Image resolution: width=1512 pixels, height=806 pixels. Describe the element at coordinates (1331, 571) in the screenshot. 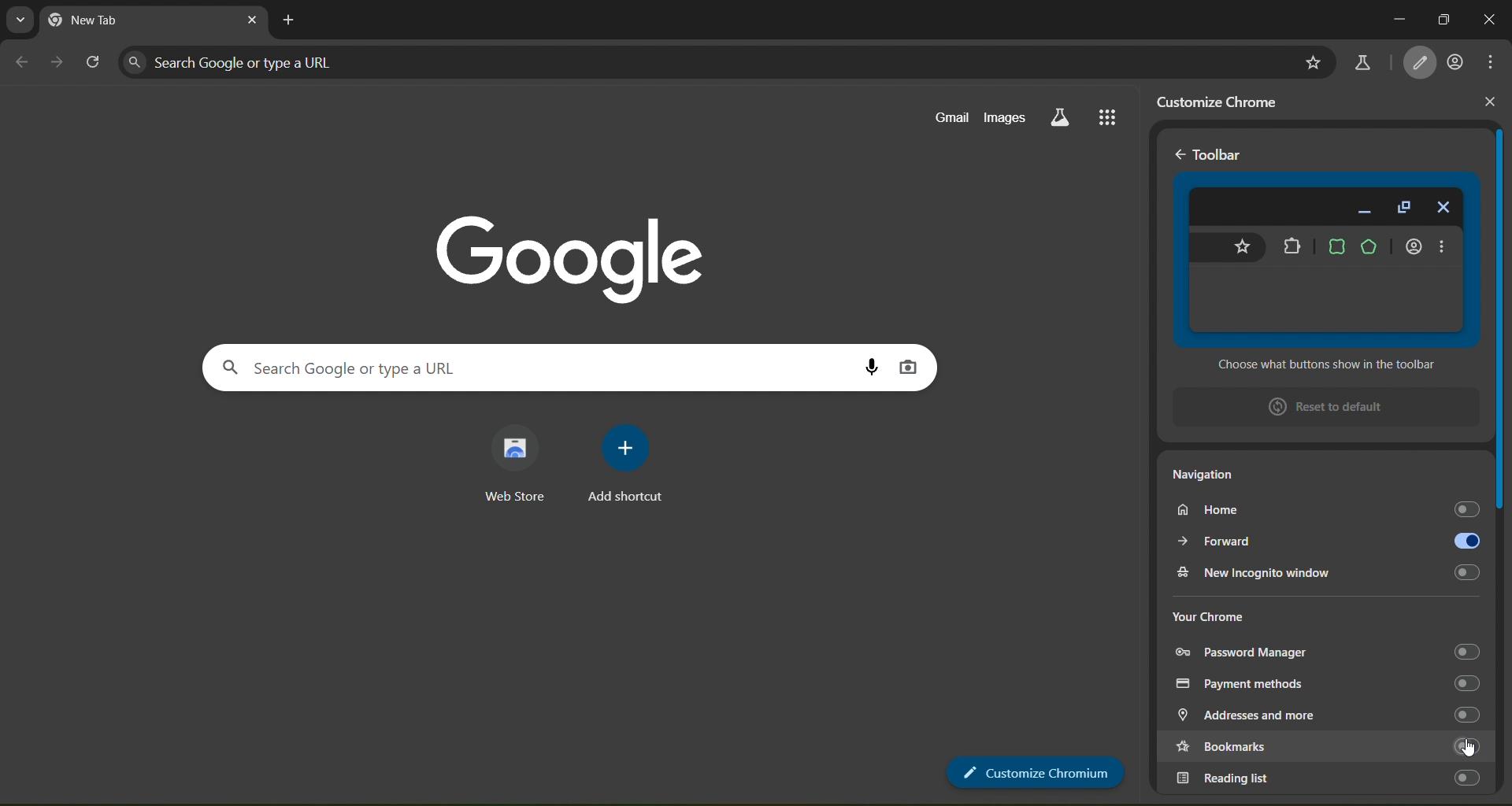

I see `new incognito window` at that location.